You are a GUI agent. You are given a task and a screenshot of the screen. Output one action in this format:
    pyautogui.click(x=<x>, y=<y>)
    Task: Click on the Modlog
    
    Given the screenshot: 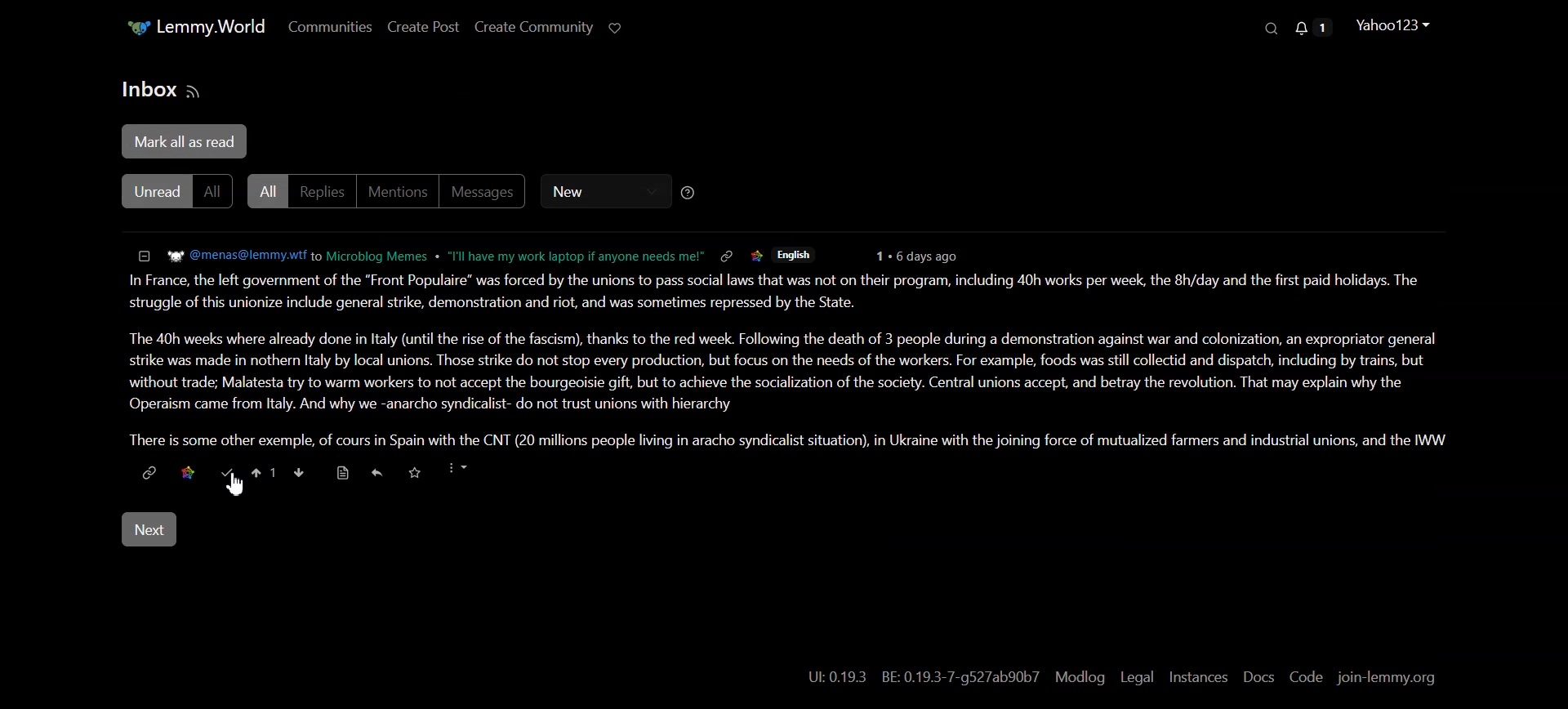 What is the action you would take?
    pyautogui.click(x=1080, y=677)
    